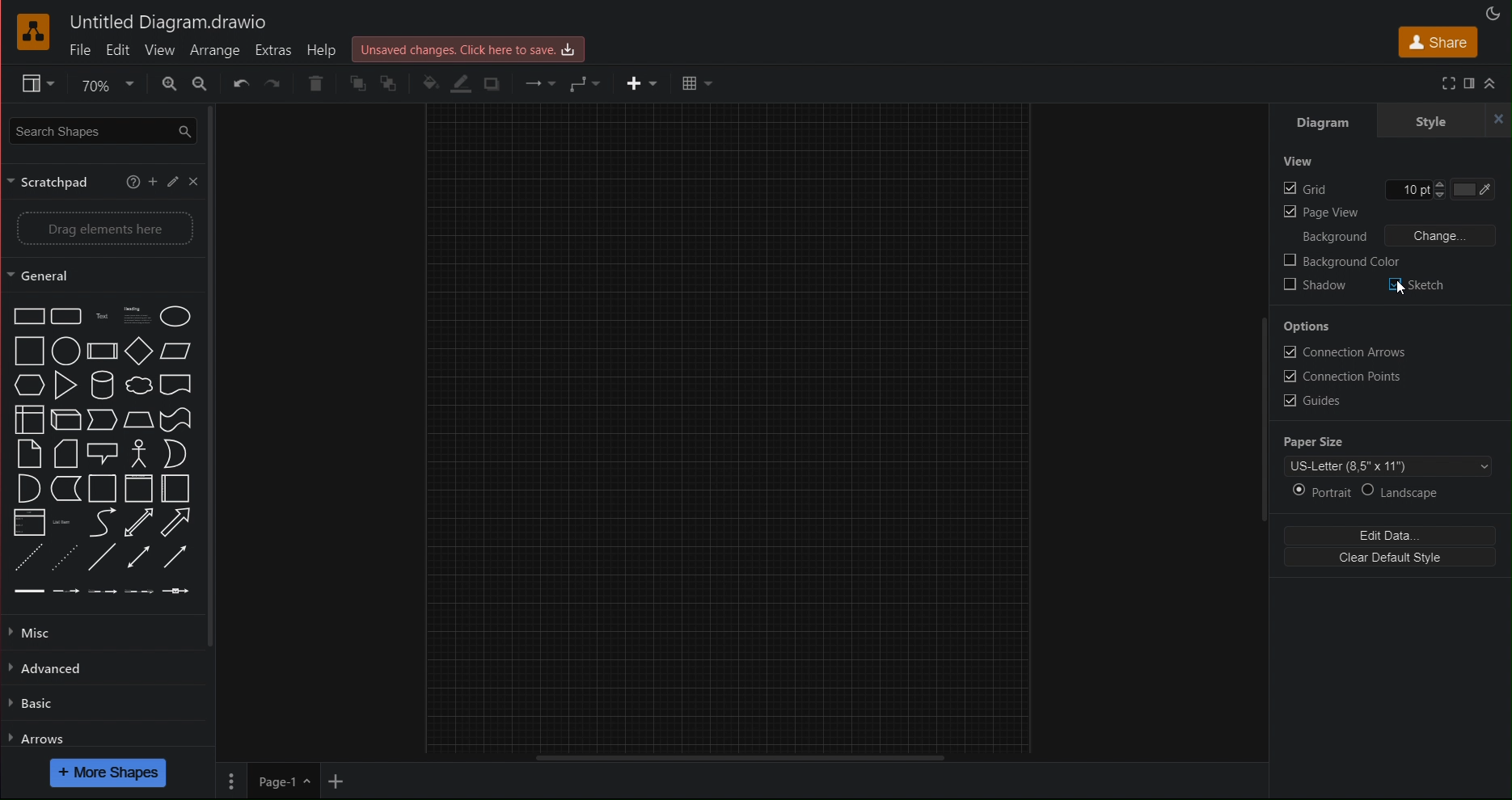 The width and height of the screenshot is (1512, 800). What do you see at coordinates (100, 385) in the screenshot?
I see `cylinder` at bounding box center [100, 385].